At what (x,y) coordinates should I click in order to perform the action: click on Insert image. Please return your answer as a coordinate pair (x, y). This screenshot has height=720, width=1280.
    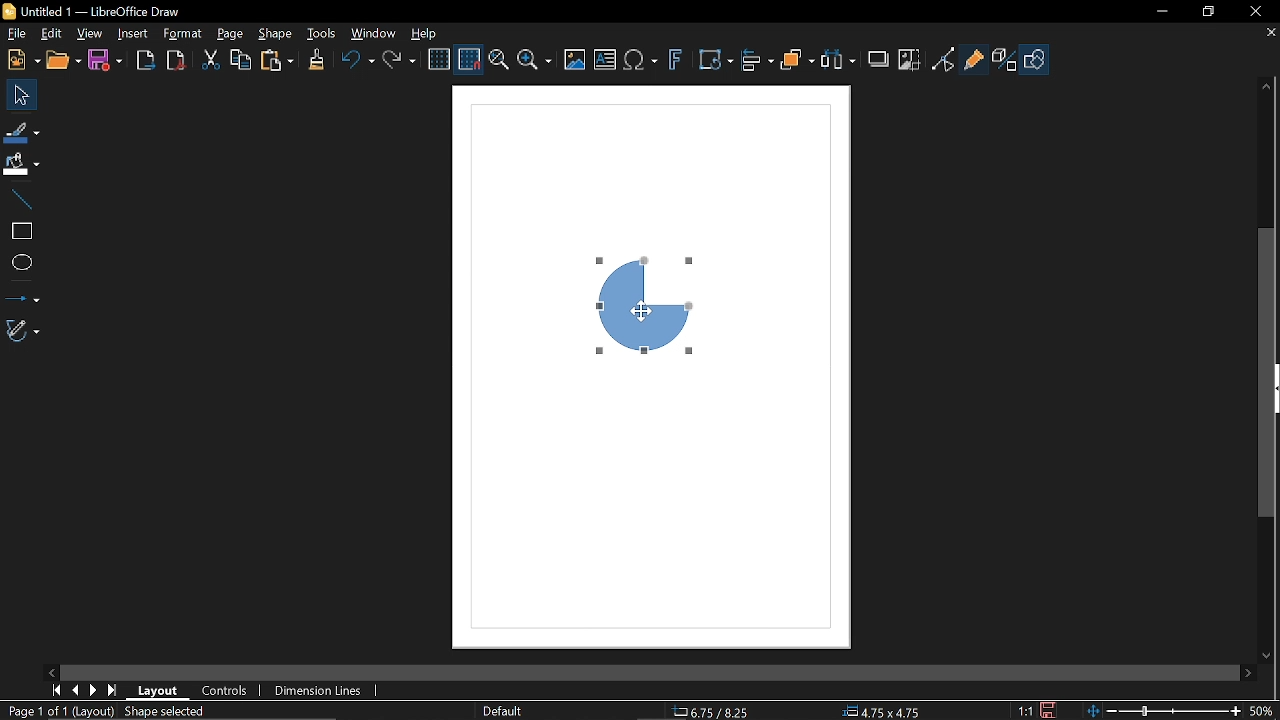
    Looking at the image, I should click on (576, 59).